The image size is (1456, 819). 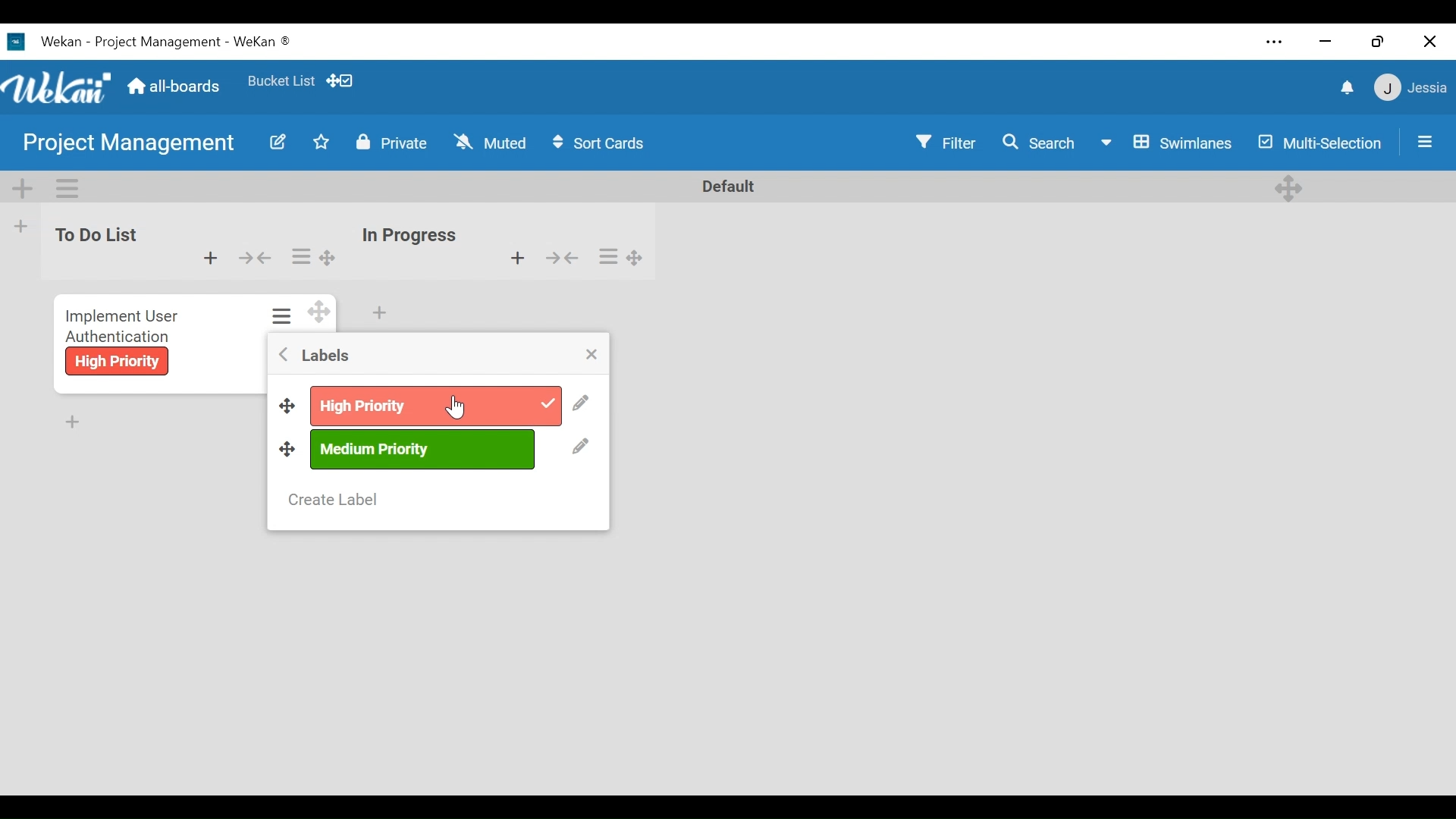 What do you see at coordinates (581, 449) in the screenshot?
I see `edit` at bounding box center [581, 449].